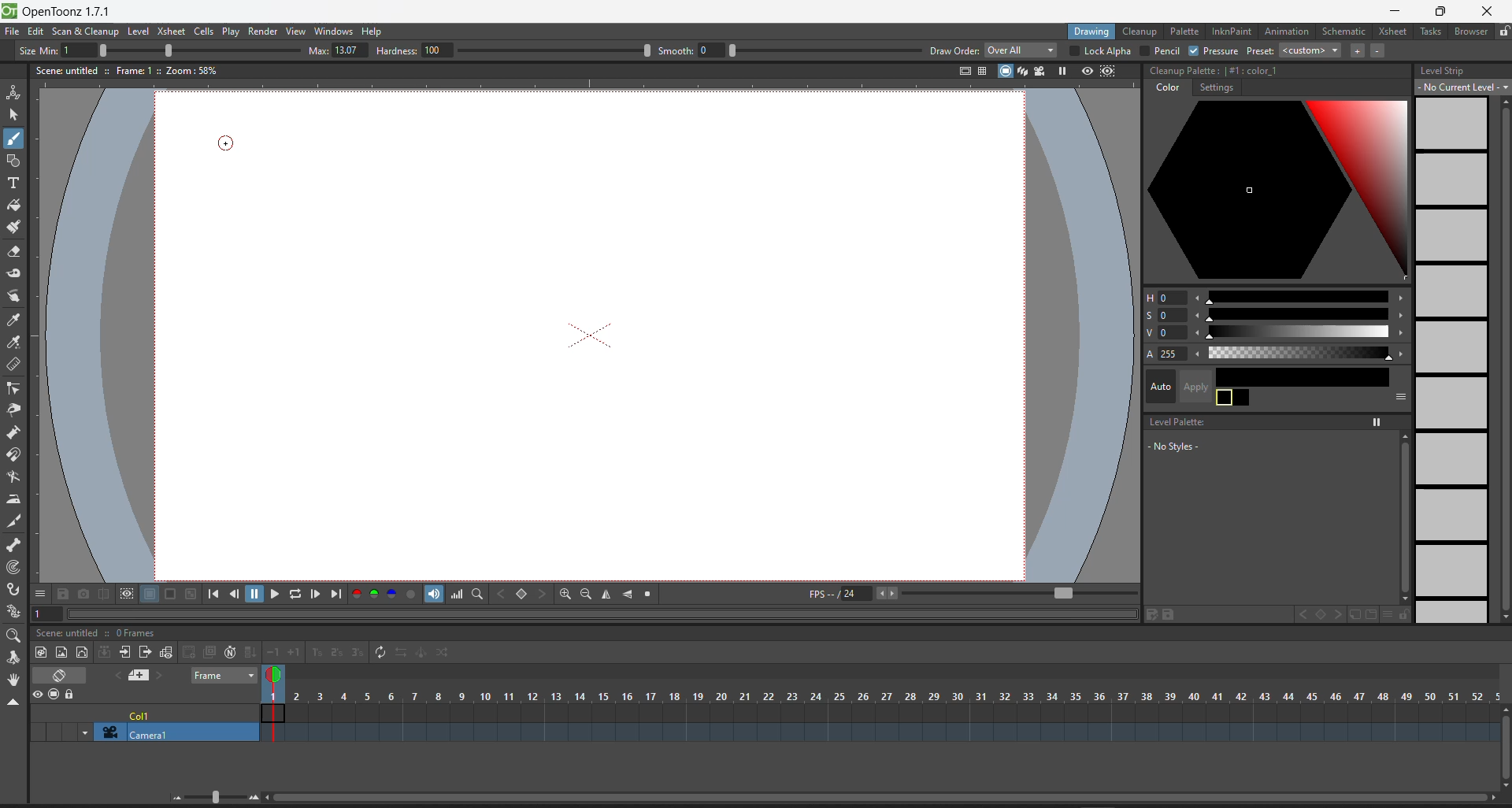 The image size is (1512, 808). Describe the element at coordinates (364, 594) in the screenshot. I see `red green channel` at that location.